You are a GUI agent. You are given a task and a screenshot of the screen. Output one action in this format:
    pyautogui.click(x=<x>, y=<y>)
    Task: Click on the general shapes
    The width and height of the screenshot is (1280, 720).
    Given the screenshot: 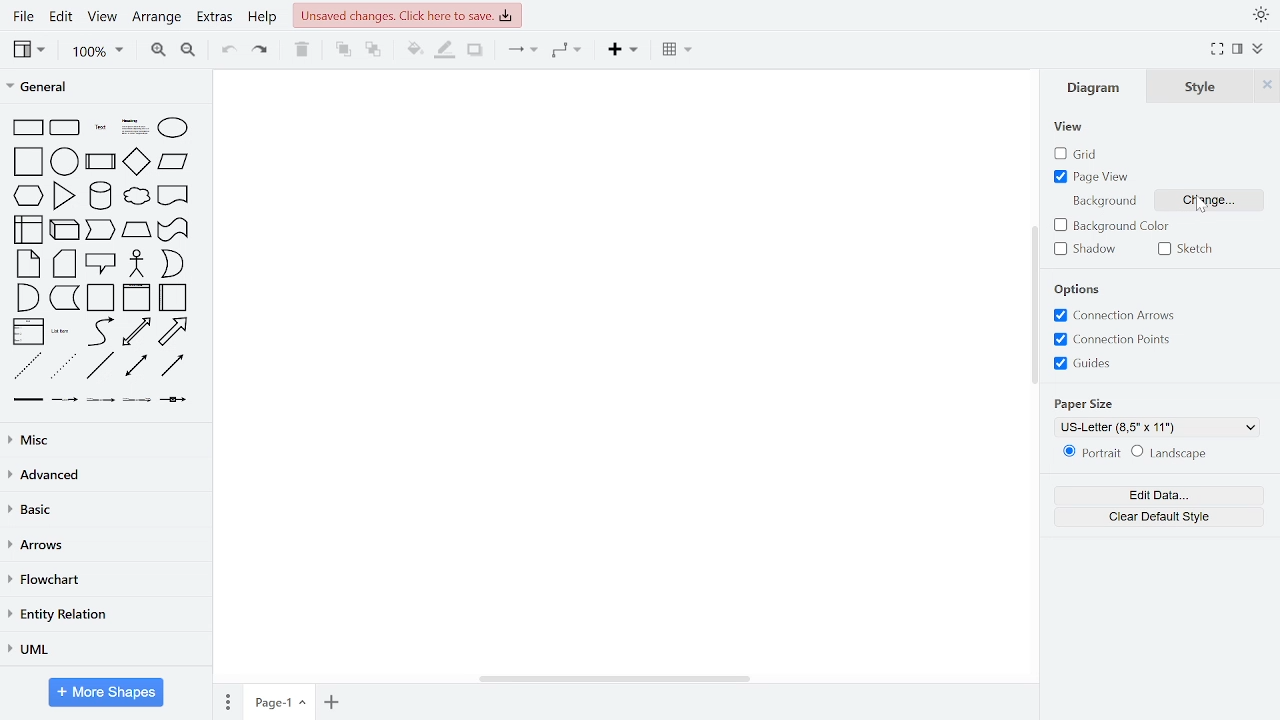 What is the action you would take?
    pyautogui.click(x=172, y=332)
    